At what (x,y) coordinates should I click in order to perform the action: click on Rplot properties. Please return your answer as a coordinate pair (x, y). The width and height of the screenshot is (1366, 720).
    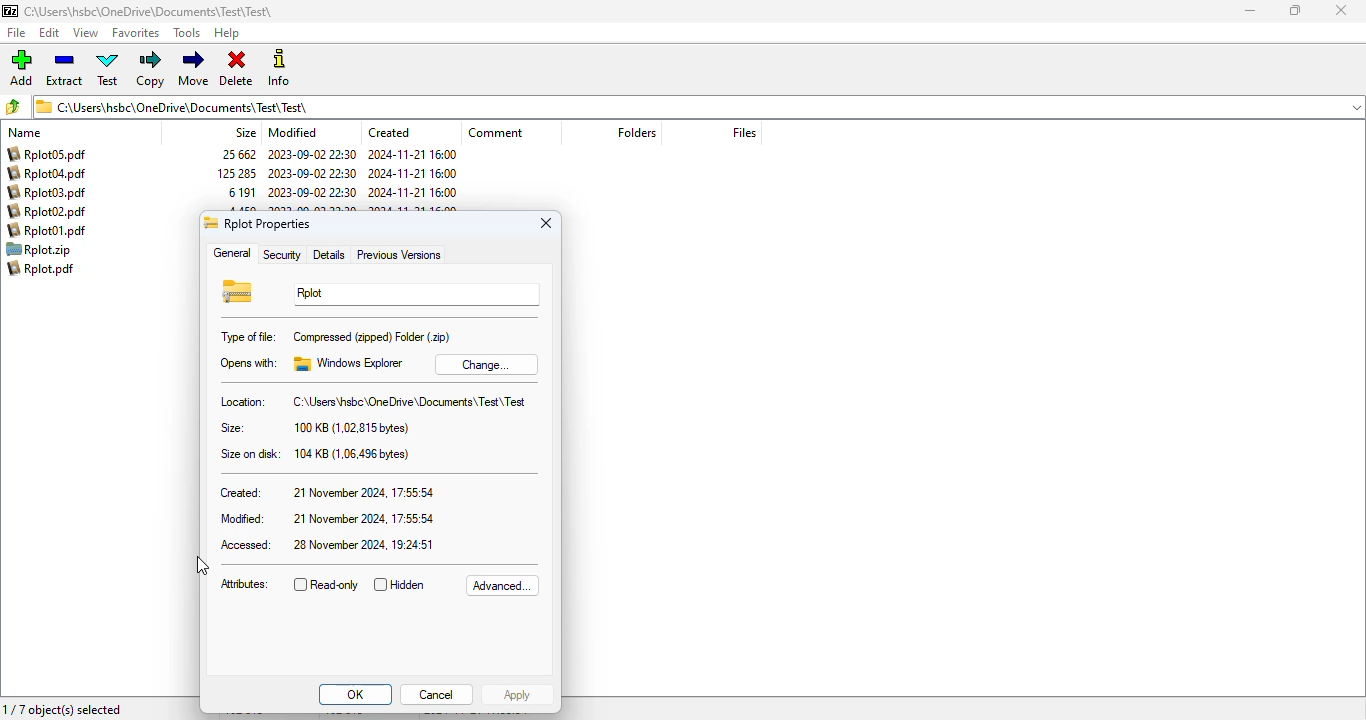
    Looking at the image, I should click on (259, 223).